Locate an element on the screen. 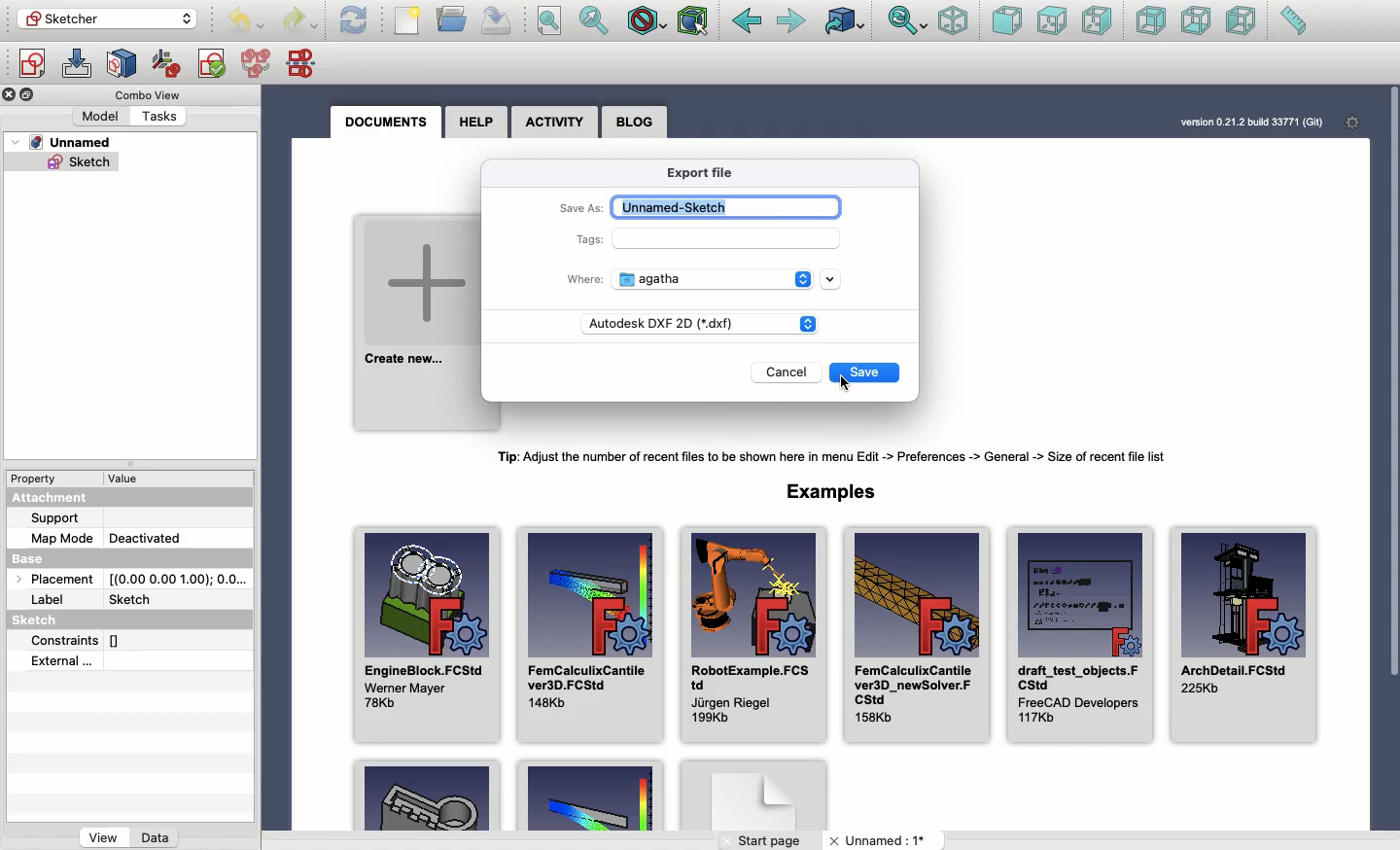 The width and height of the screenshot is (1400, 850). Export file is located at coordinates (713, 174).